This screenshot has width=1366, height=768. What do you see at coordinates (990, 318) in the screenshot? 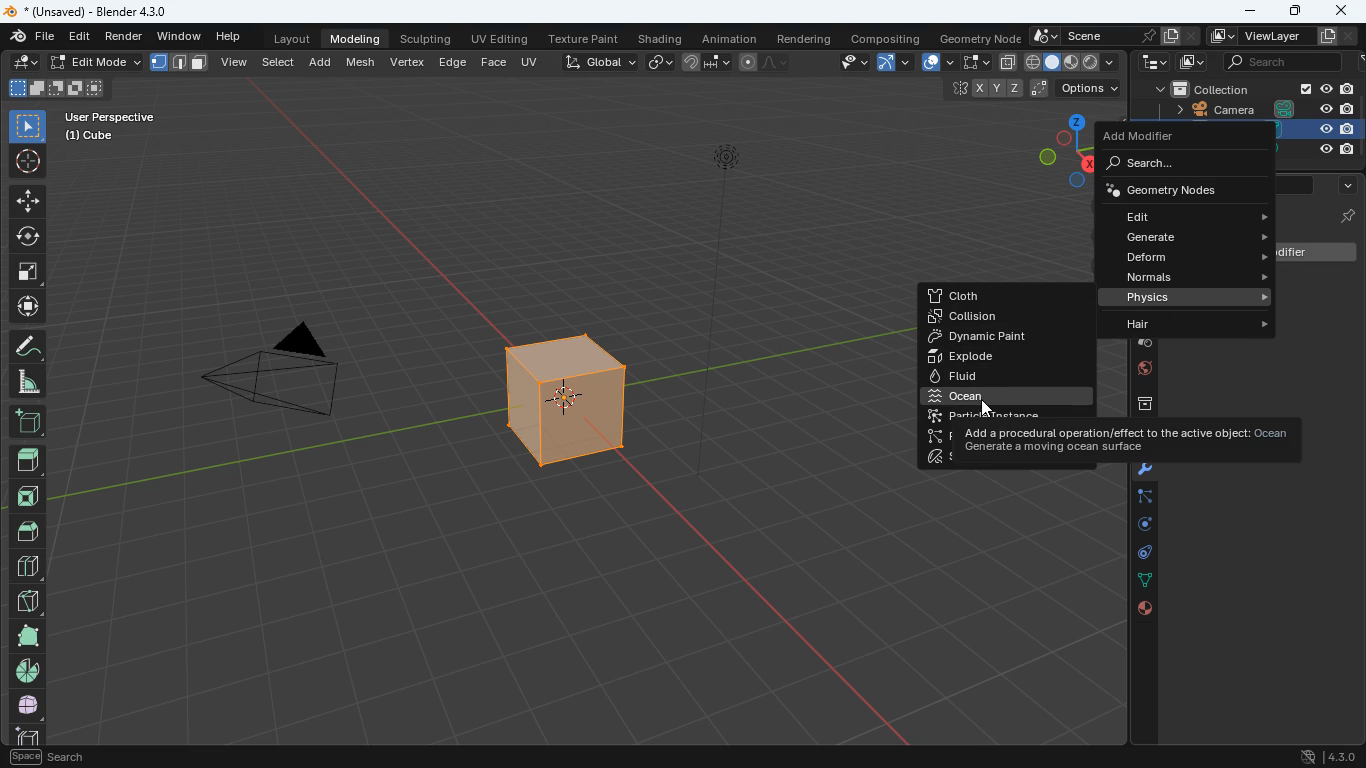
I see `collision` at bounding box center [990, 318].